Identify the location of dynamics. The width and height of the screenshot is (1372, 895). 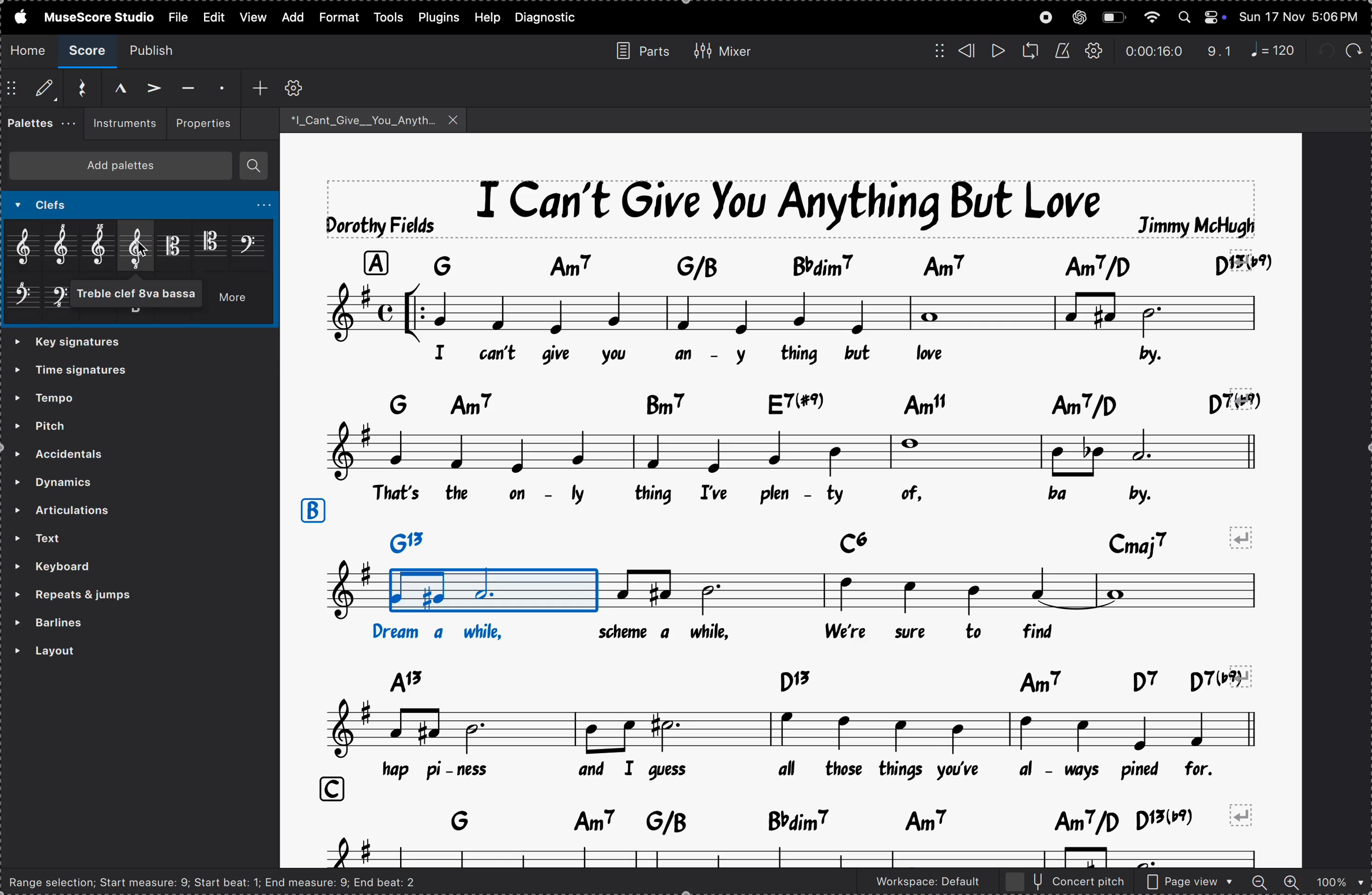
(95, 479).